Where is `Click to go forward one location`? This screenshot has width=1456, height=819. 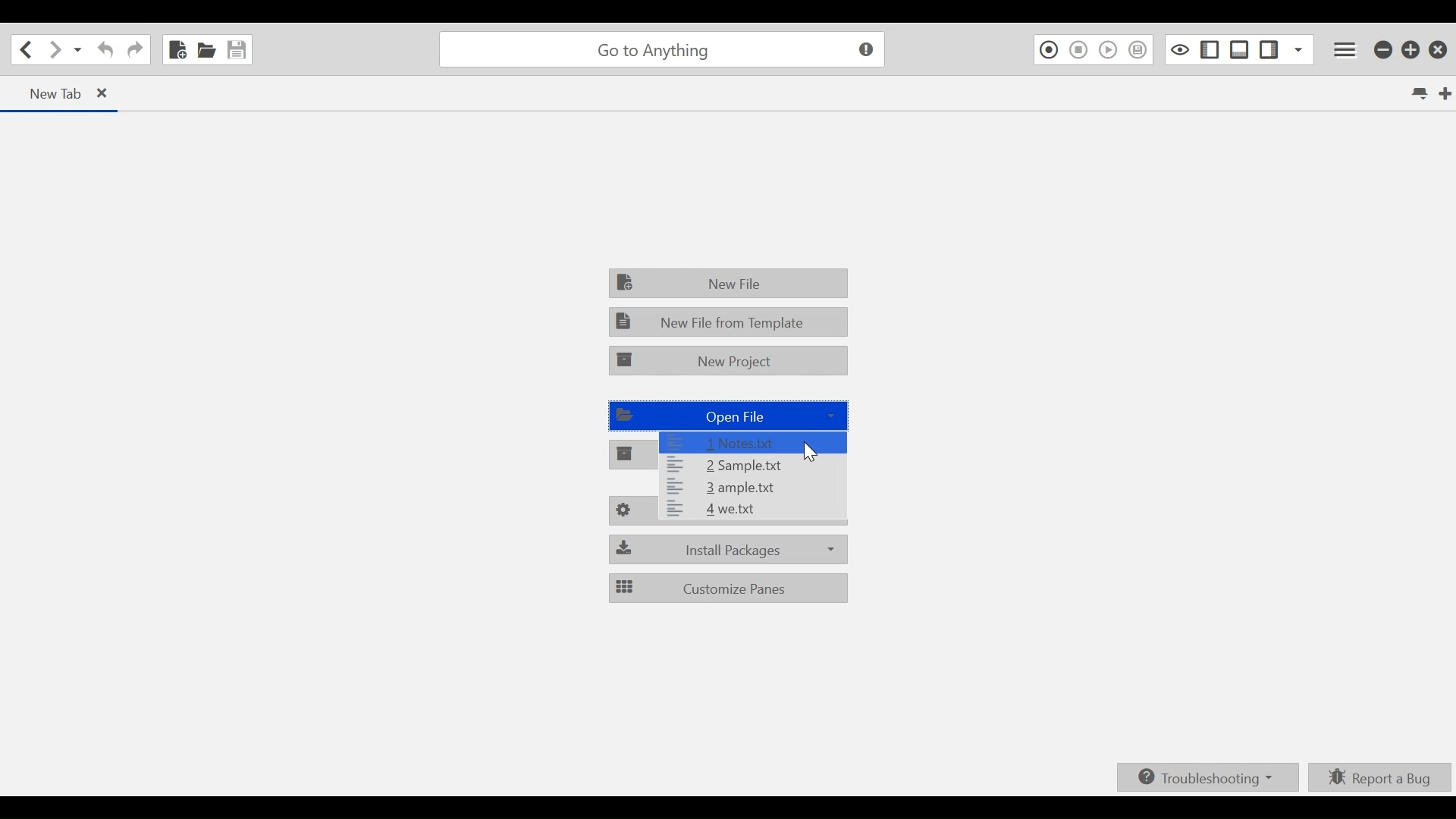 Click to go forward one location is located at coordinates (55, 50).